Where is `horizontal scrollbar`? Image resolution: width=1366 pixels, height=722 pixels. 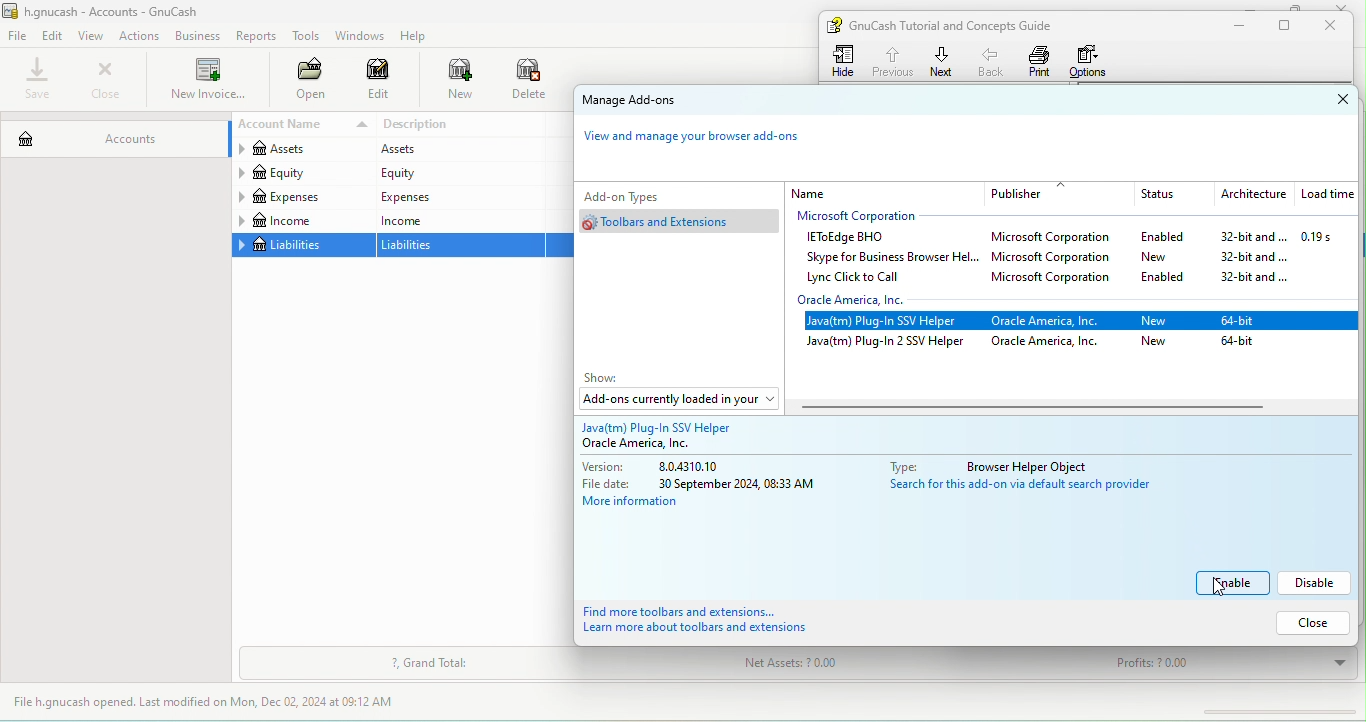 horizontal scrollbar is located at coordinates (1035, 407).